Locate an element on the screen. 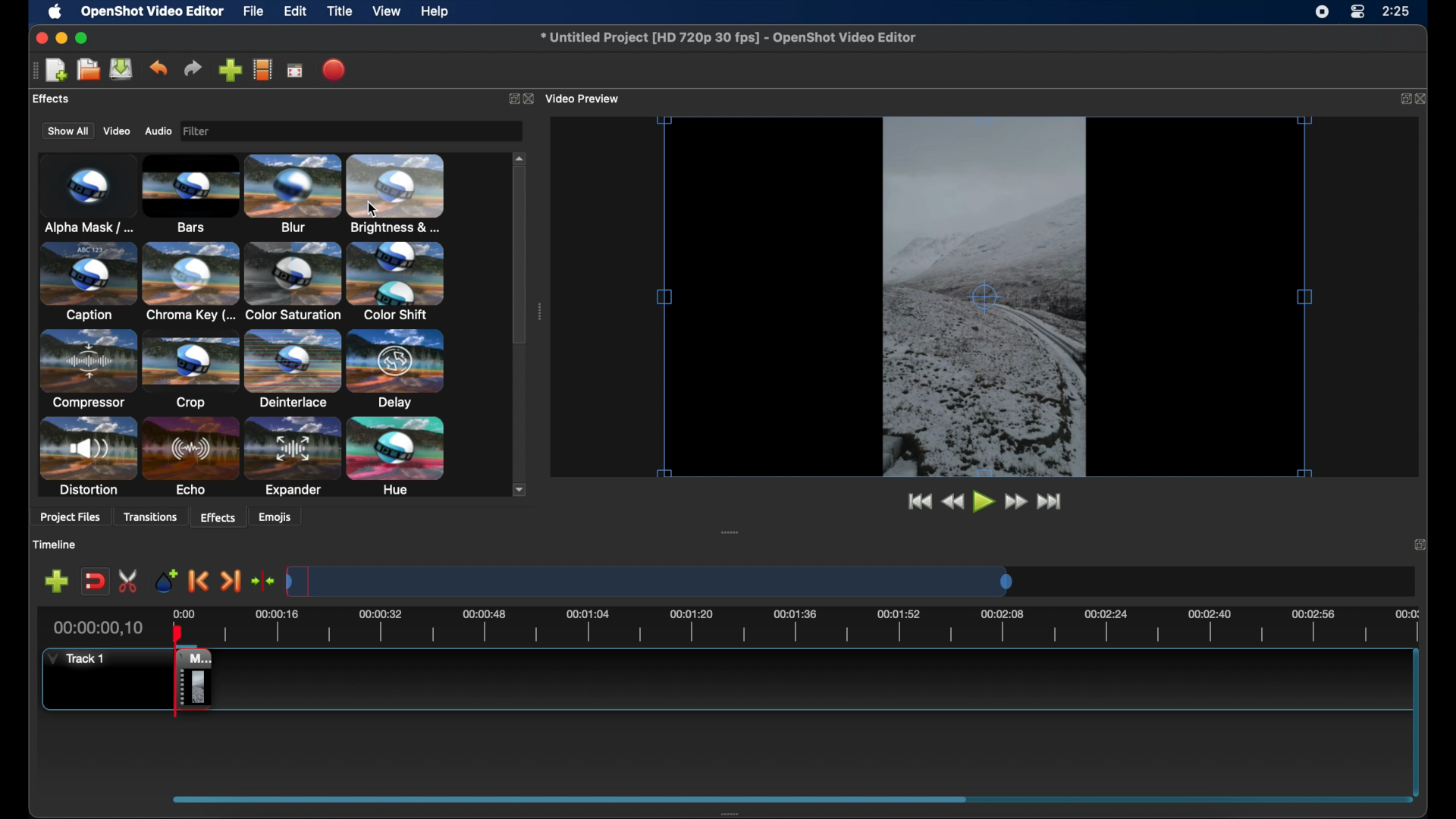 The height and width of the screenshot is (819, 1456). emojis is located at coordinates (277, 517).